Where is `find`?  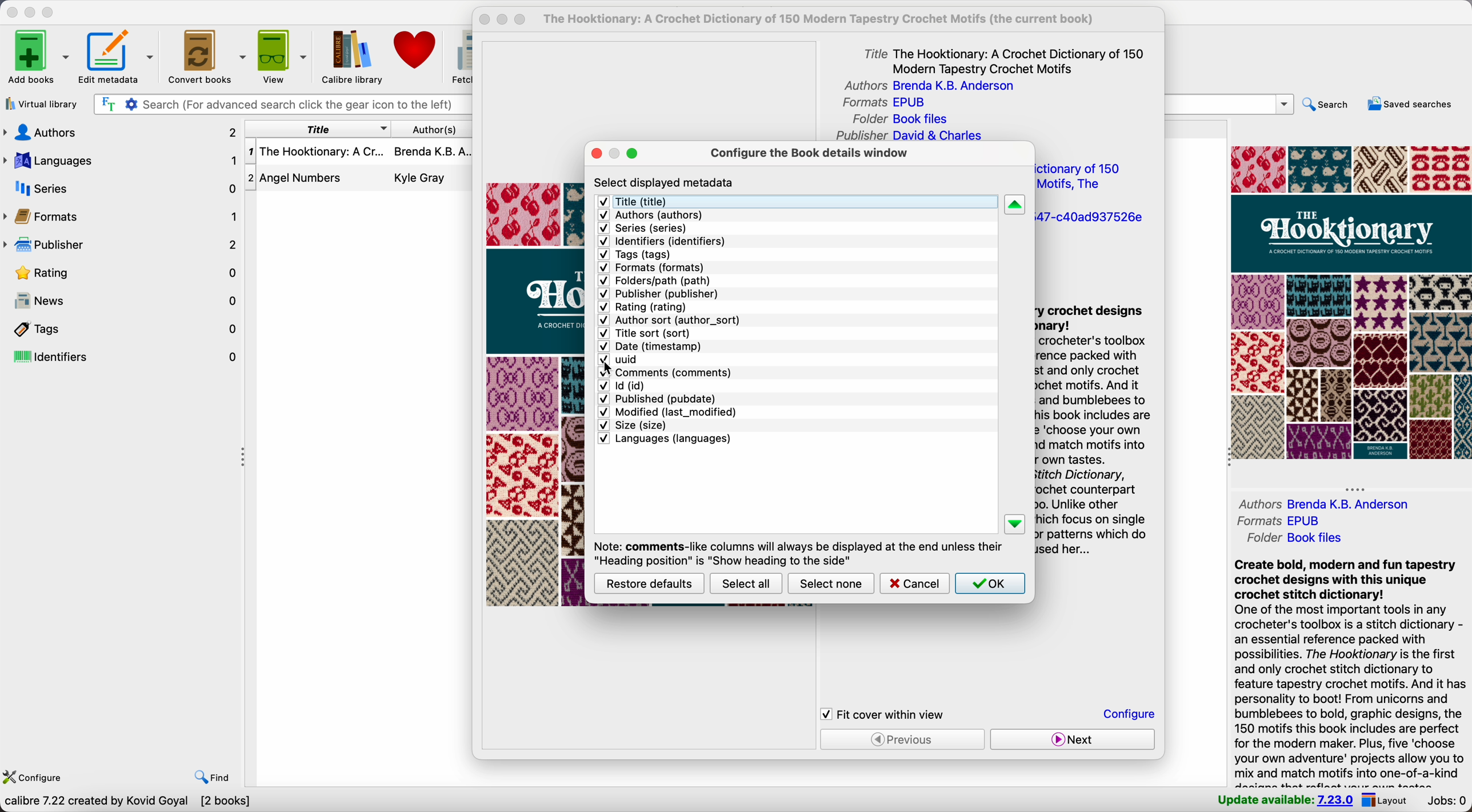
find is located at coordinates (214, 778).